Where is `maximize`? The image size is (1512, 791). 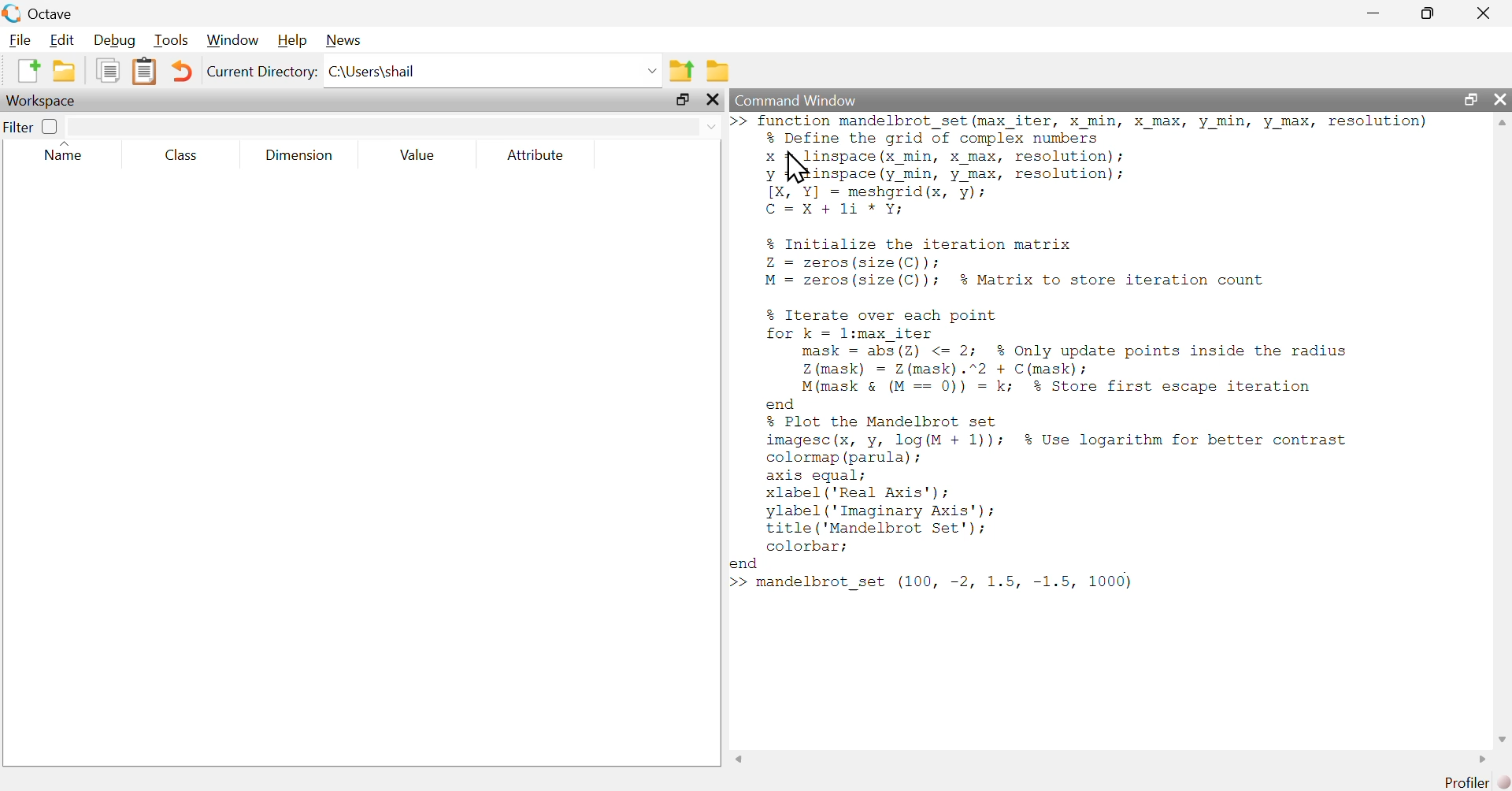 maximize is located at coordinates (682, 101).